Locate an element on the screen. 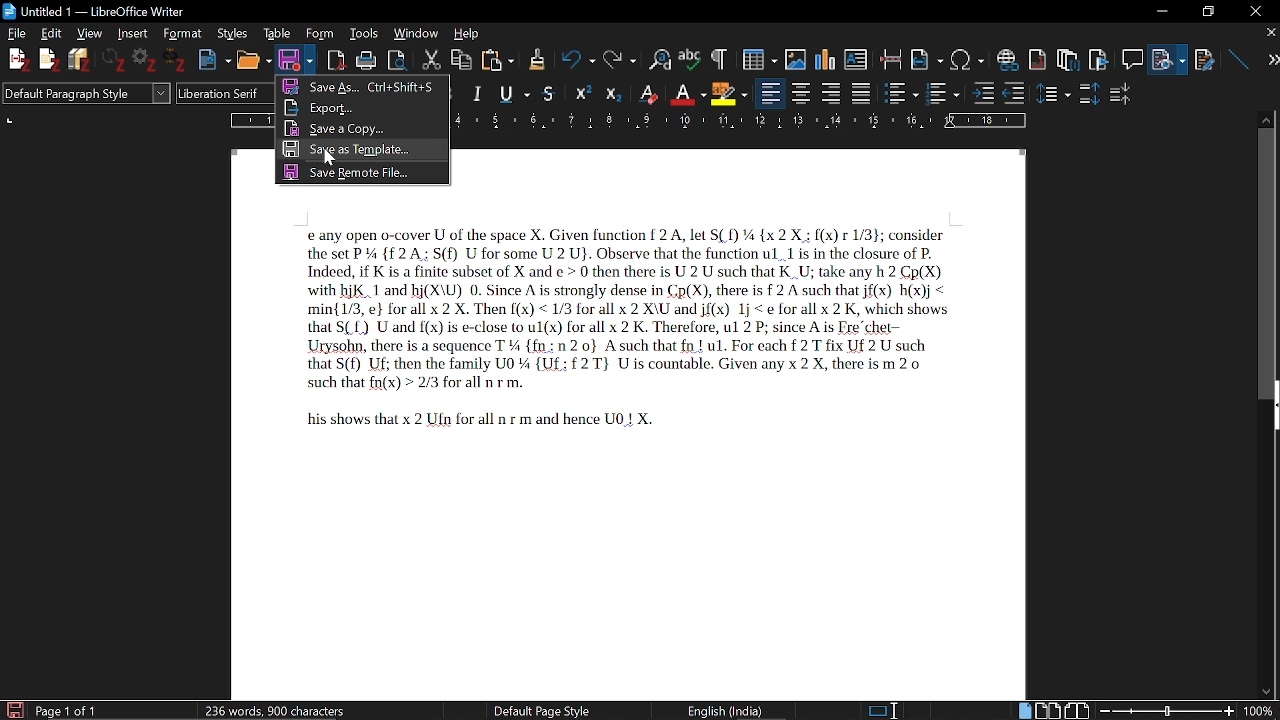  English(India) is located at coordinates (733, 709).